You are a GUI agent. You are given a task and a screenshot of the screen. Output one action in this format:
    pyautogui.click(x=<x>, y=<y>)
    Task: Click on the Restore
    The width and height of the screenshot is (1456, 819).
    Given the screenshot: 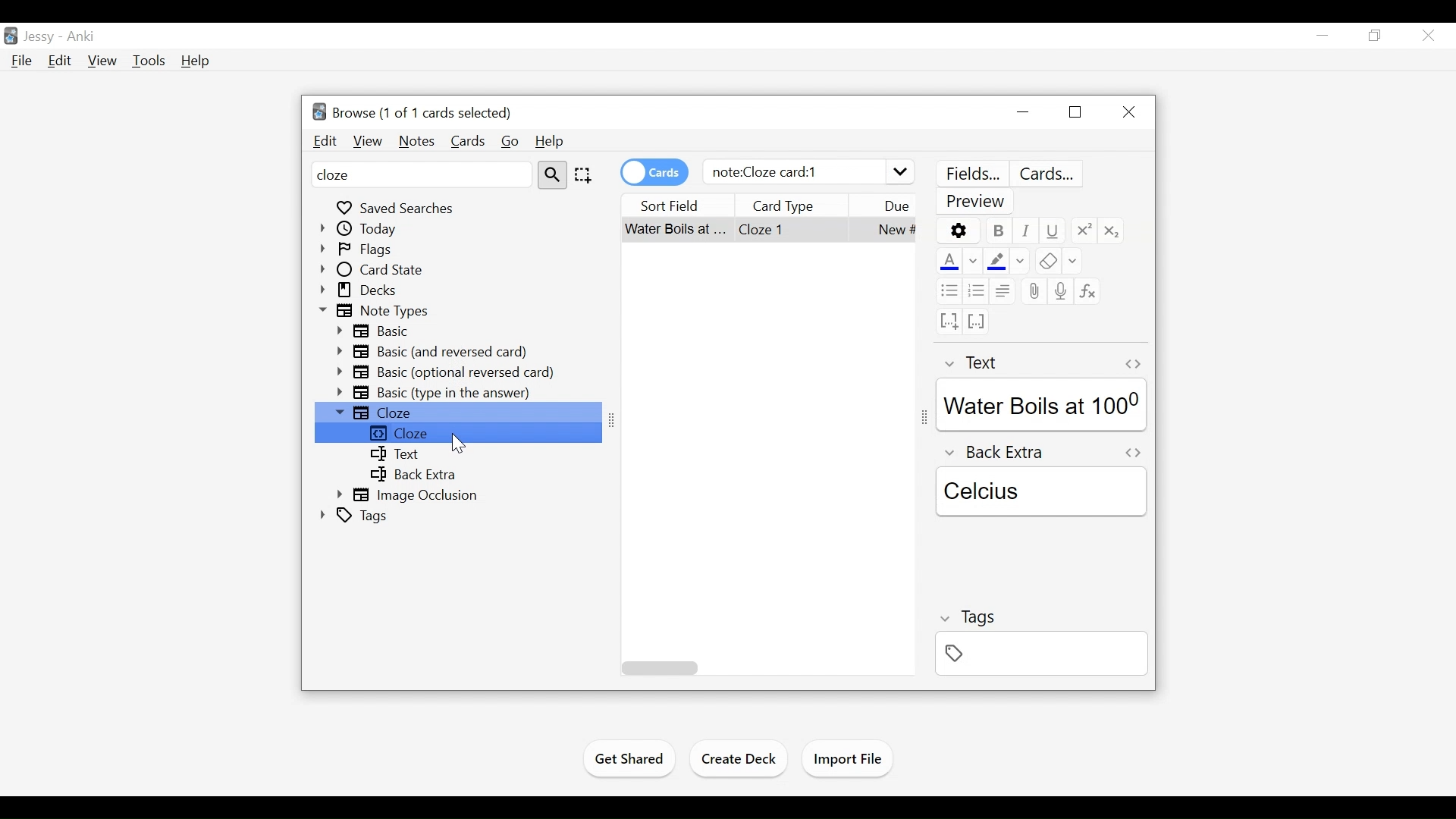 What is the action you would take?
    pyautogui.click(x=1376, y=36)
    